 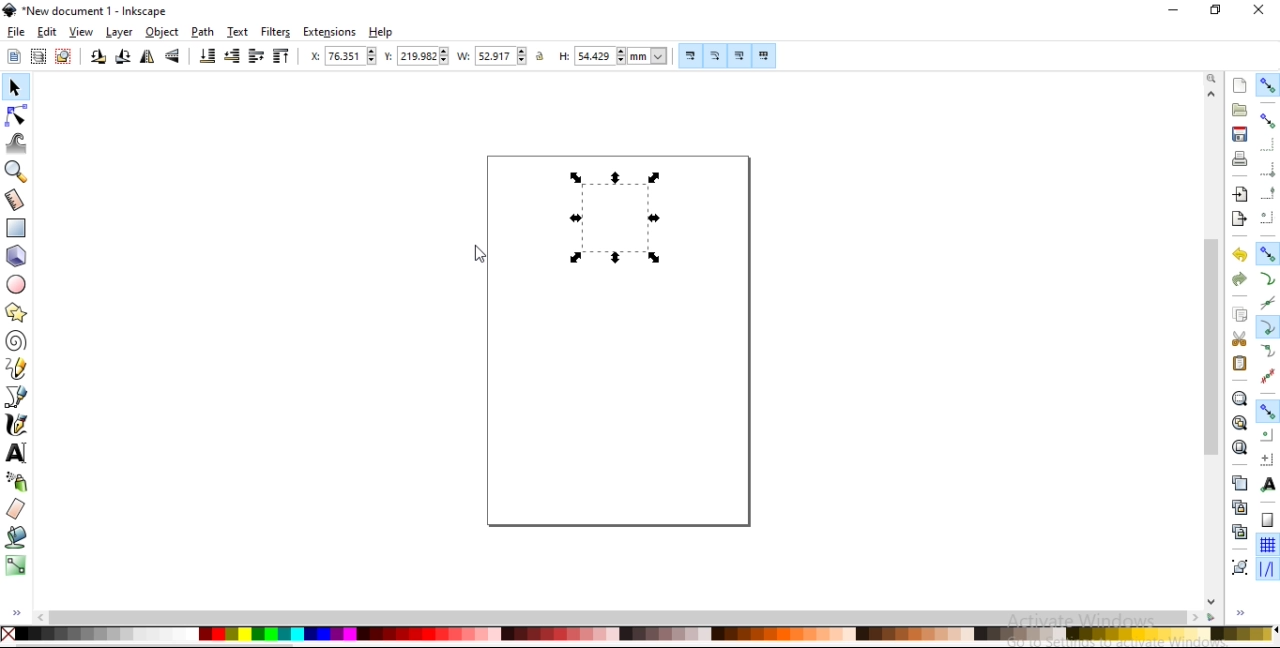 I want to click on create stars and polygons, so click(x=18, y=312).